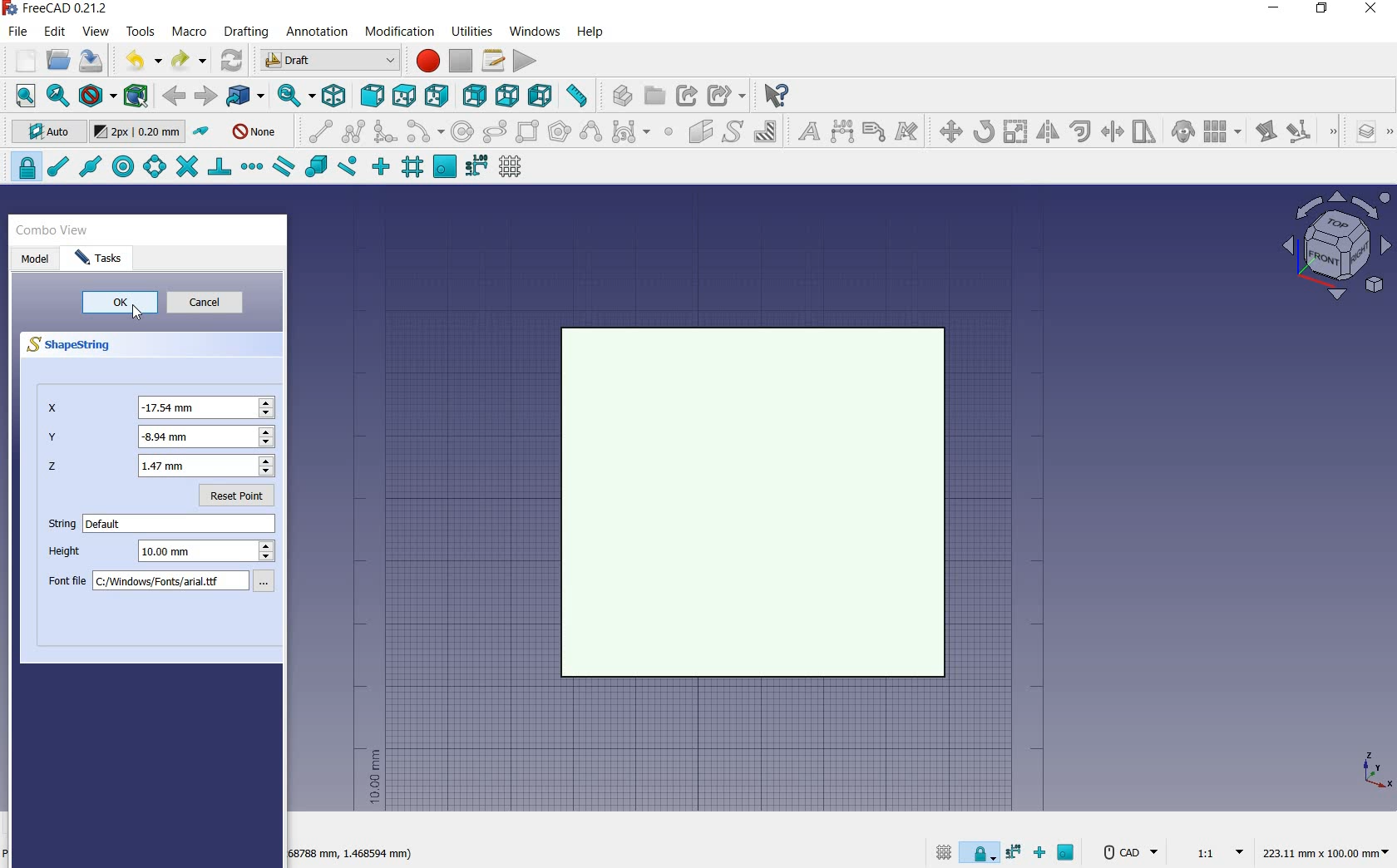  What do you see at coordinates (212, 304) in the screenshot?
I see `cancel` at bounding box center [212, 304].